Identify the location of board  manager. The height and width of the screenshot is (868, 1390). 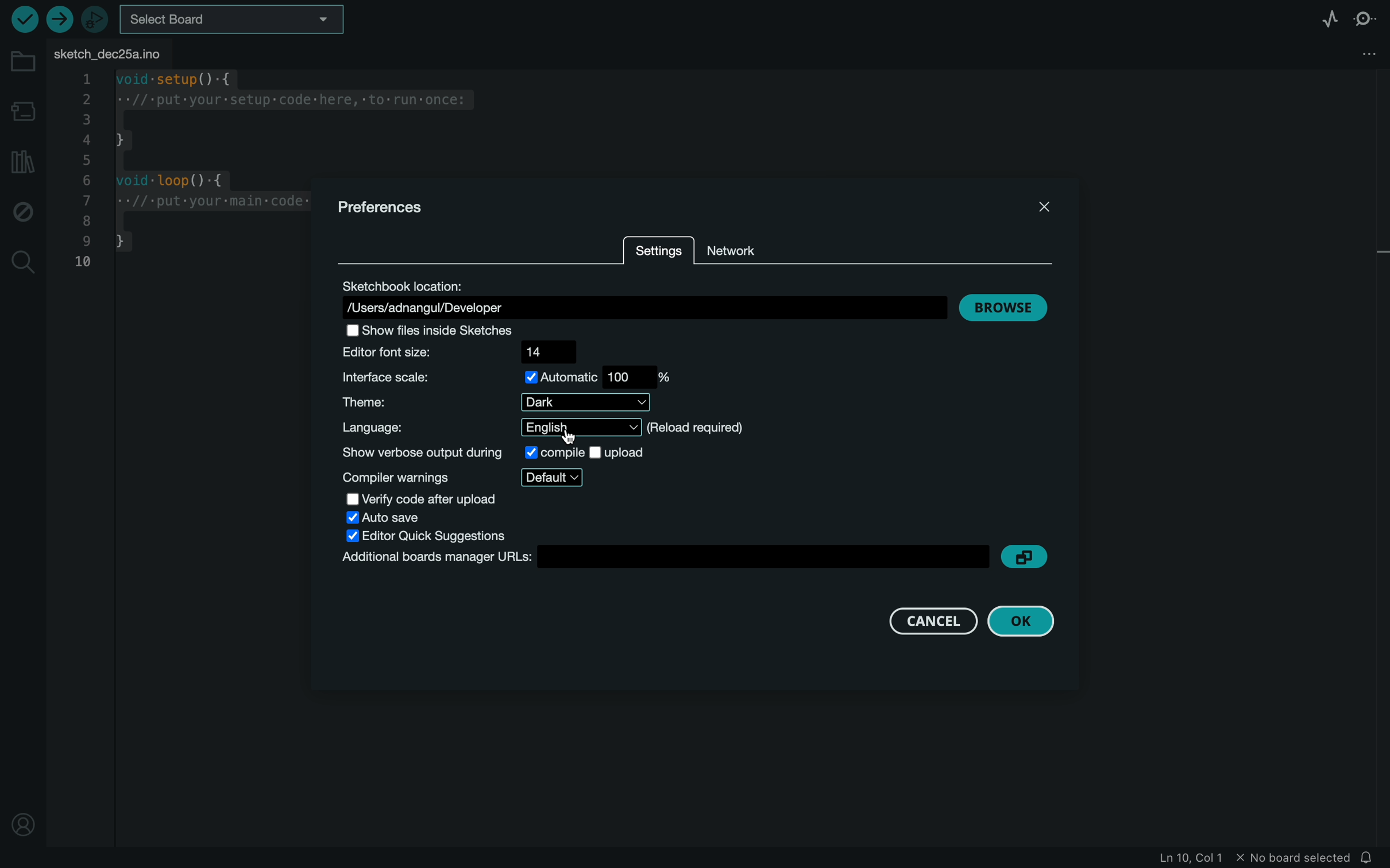
(24, 111).